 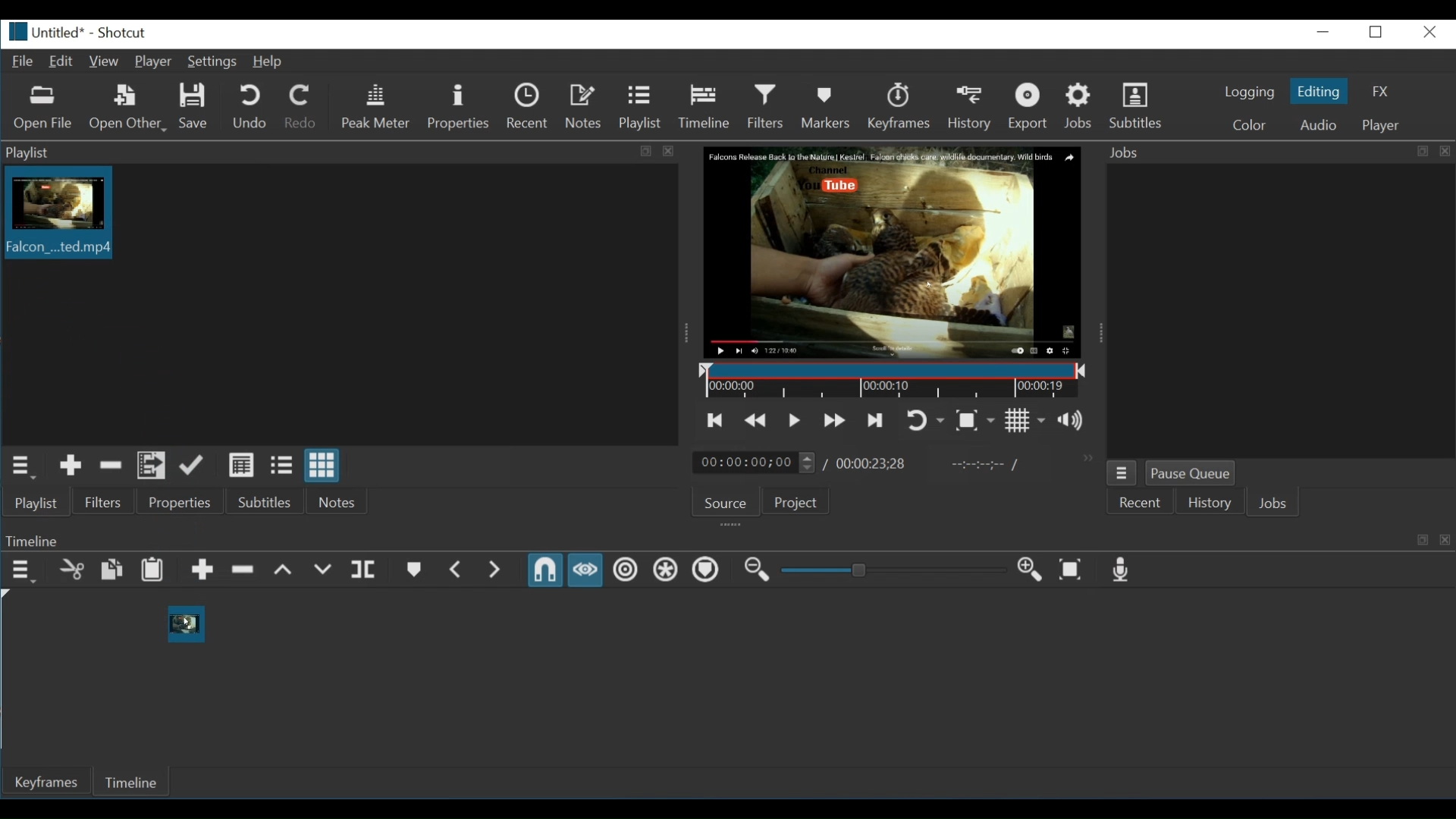 What do you see at coordinates (378, 106) in the screenshot?
I see `Peak Meter` at bounding box center [378, 106].